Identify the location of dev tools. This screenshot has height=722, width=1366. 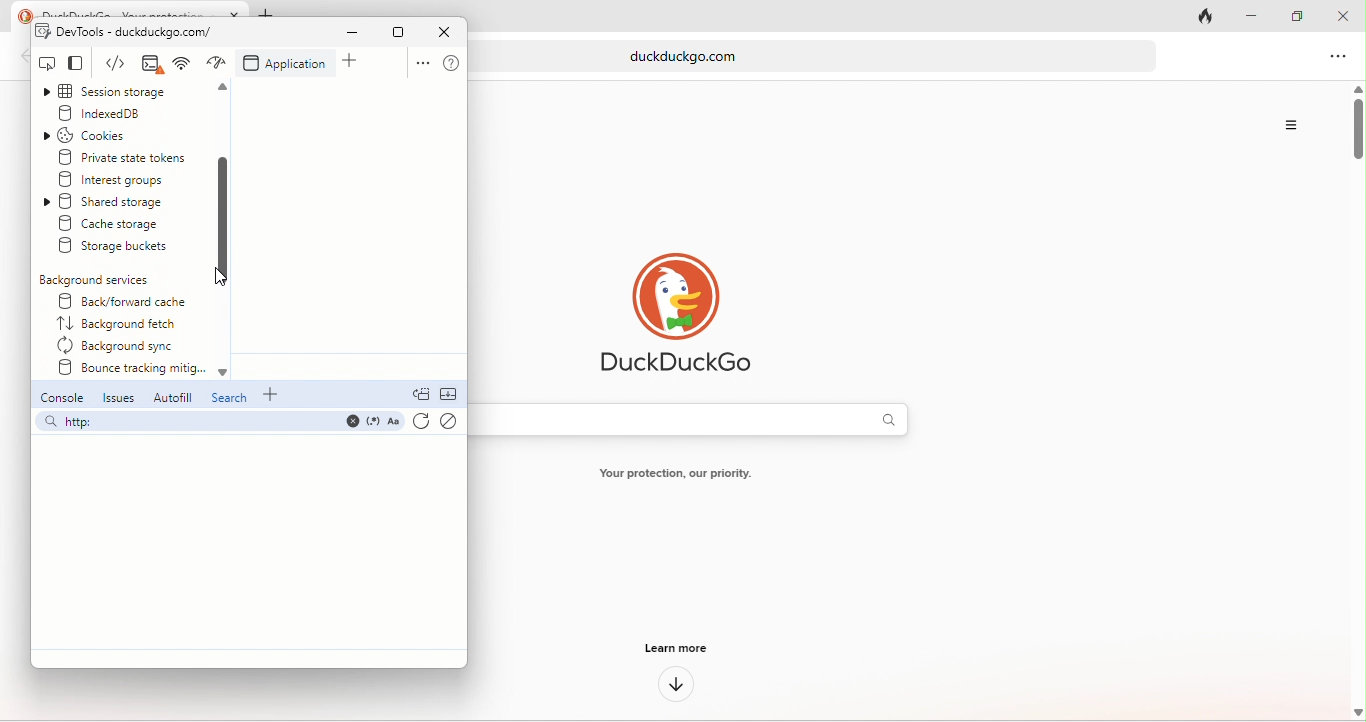
(126, 32).